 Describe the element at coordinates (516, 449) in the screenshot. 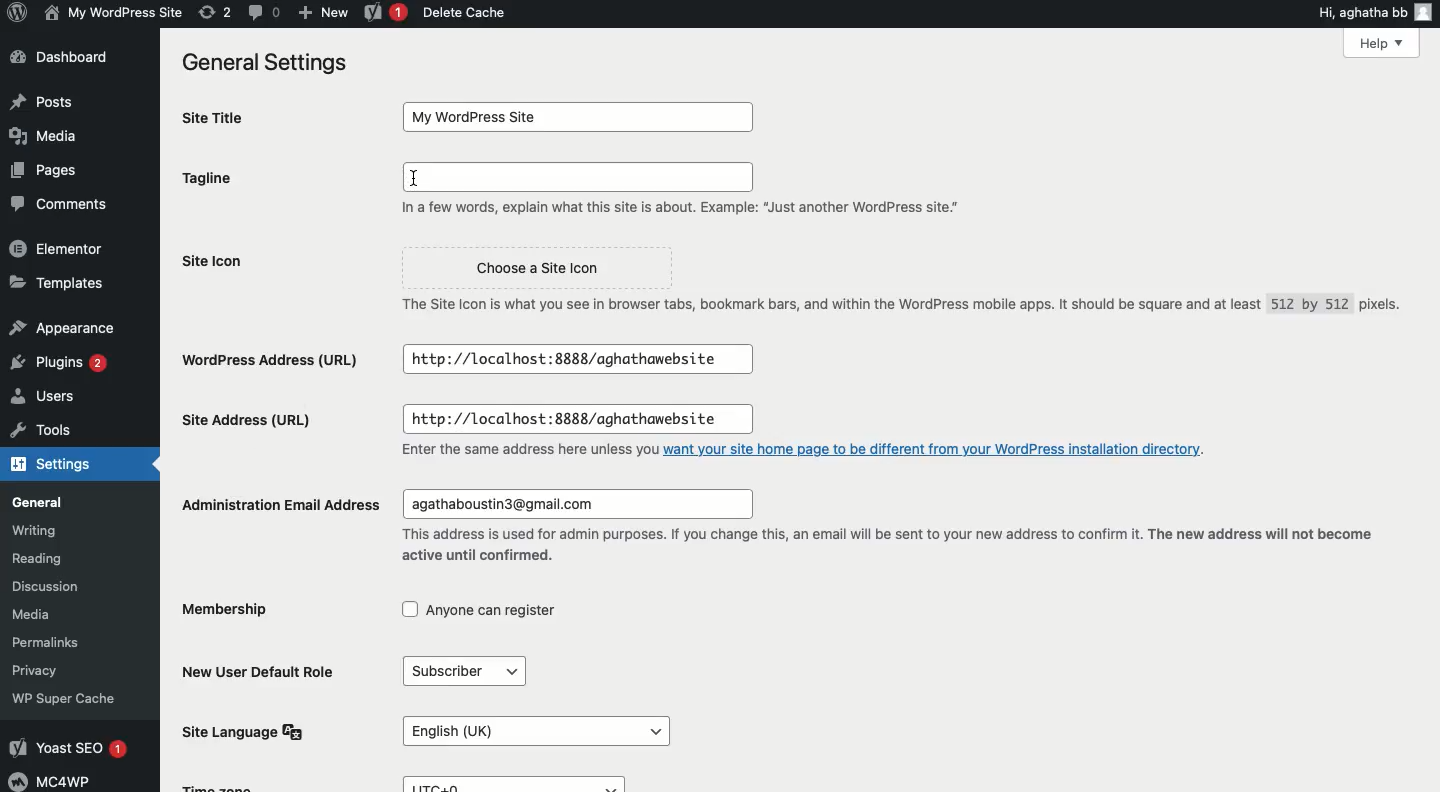

I see `Enter the same address here unless you` at that location.